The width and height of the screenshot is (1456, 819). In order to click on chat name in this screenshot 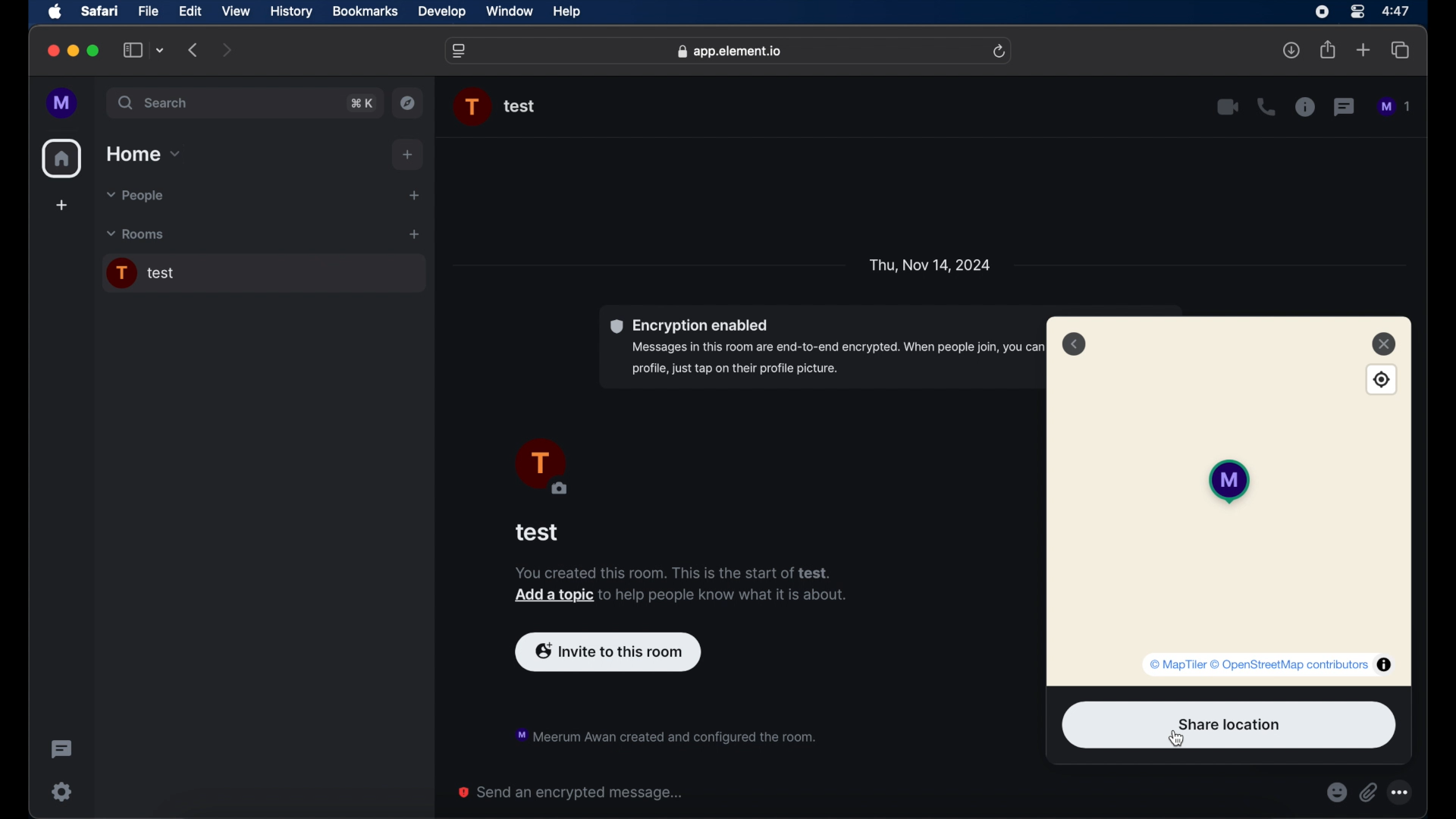, I will do `click(520, 107)`.